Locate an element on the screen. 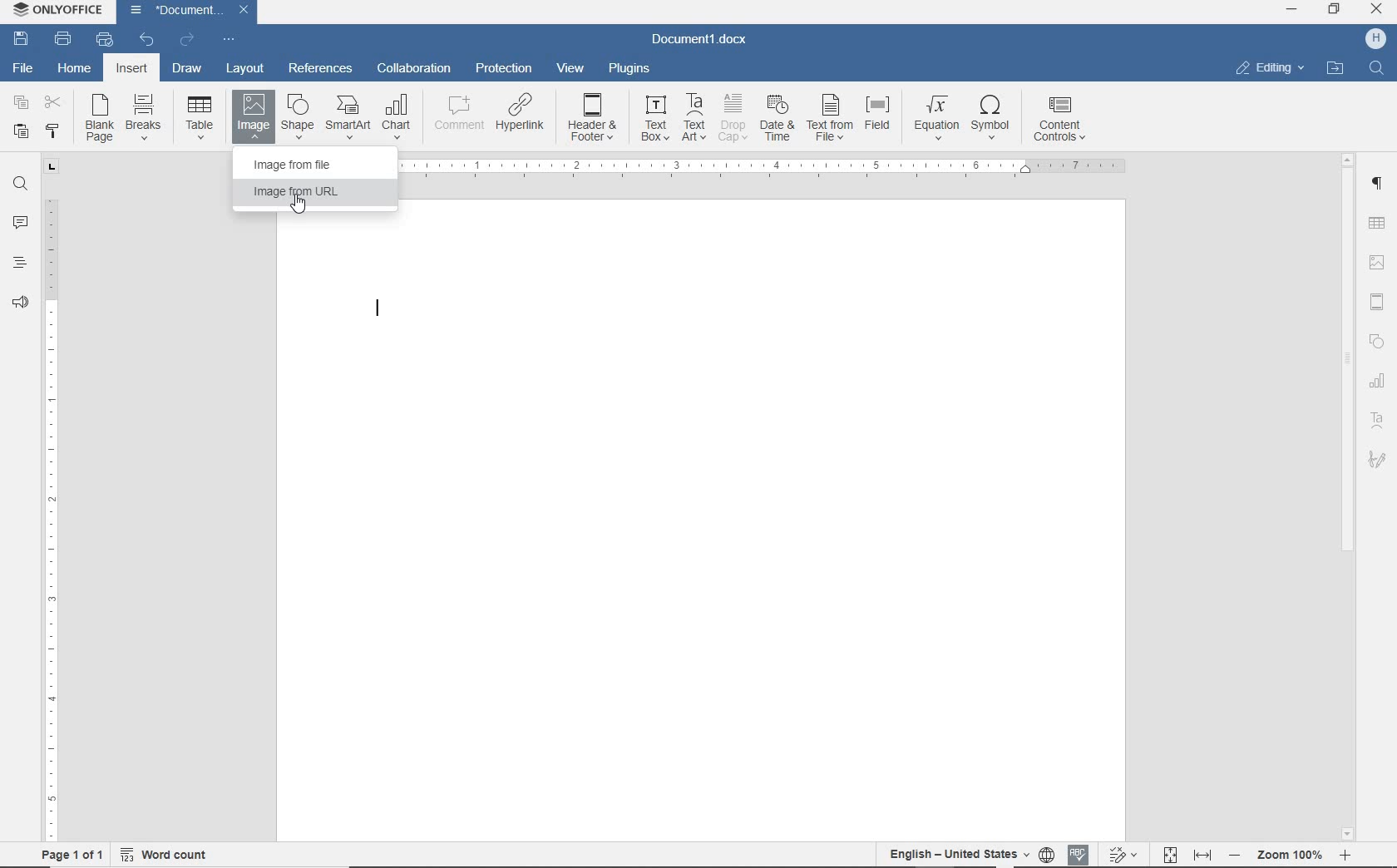 Image resolution: width=1397 pixels, height=868 pixels. Pointer is located at coordinates (311, 211).